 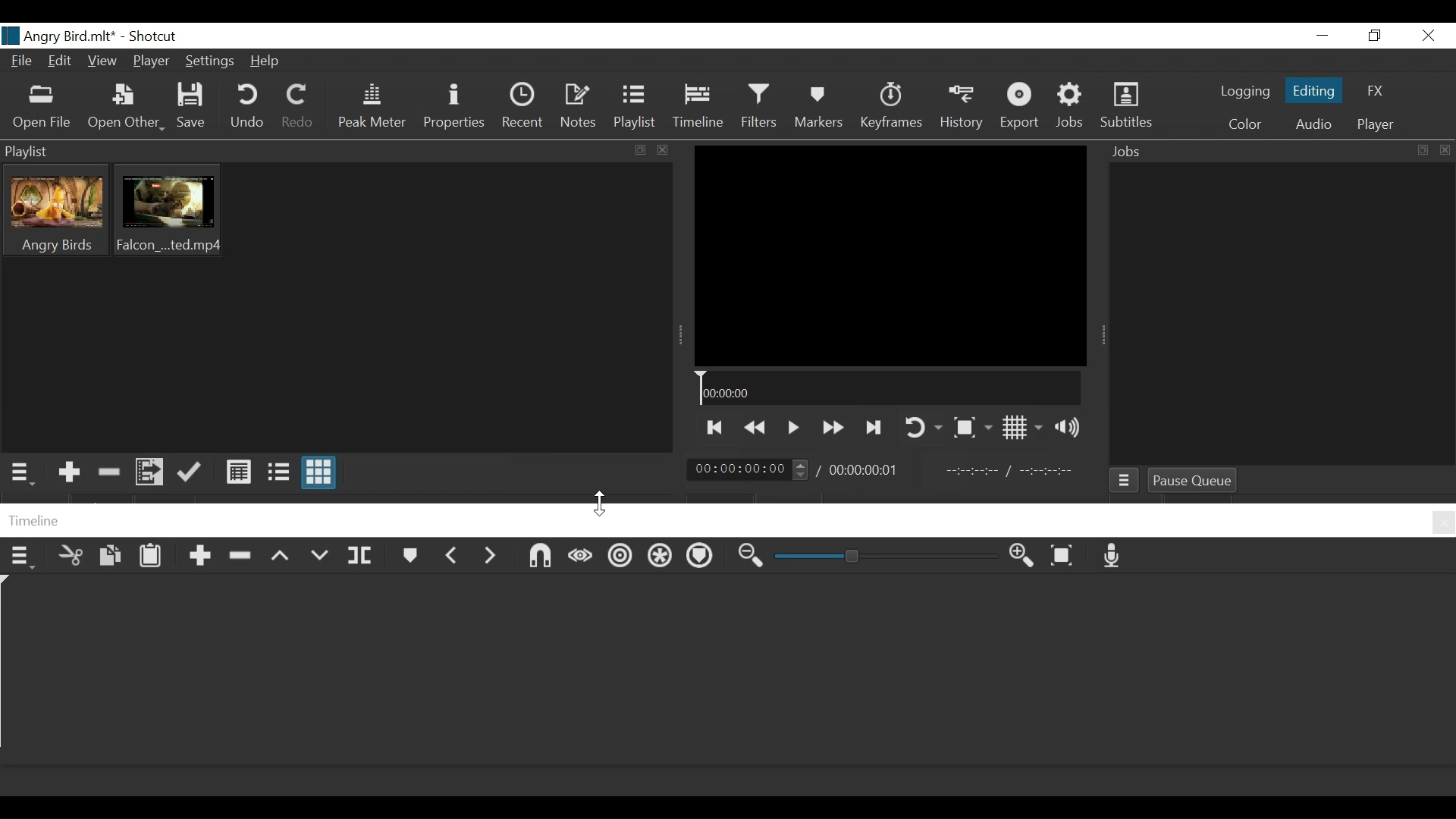 I want to click on Color, so click(x=1245, y=124).